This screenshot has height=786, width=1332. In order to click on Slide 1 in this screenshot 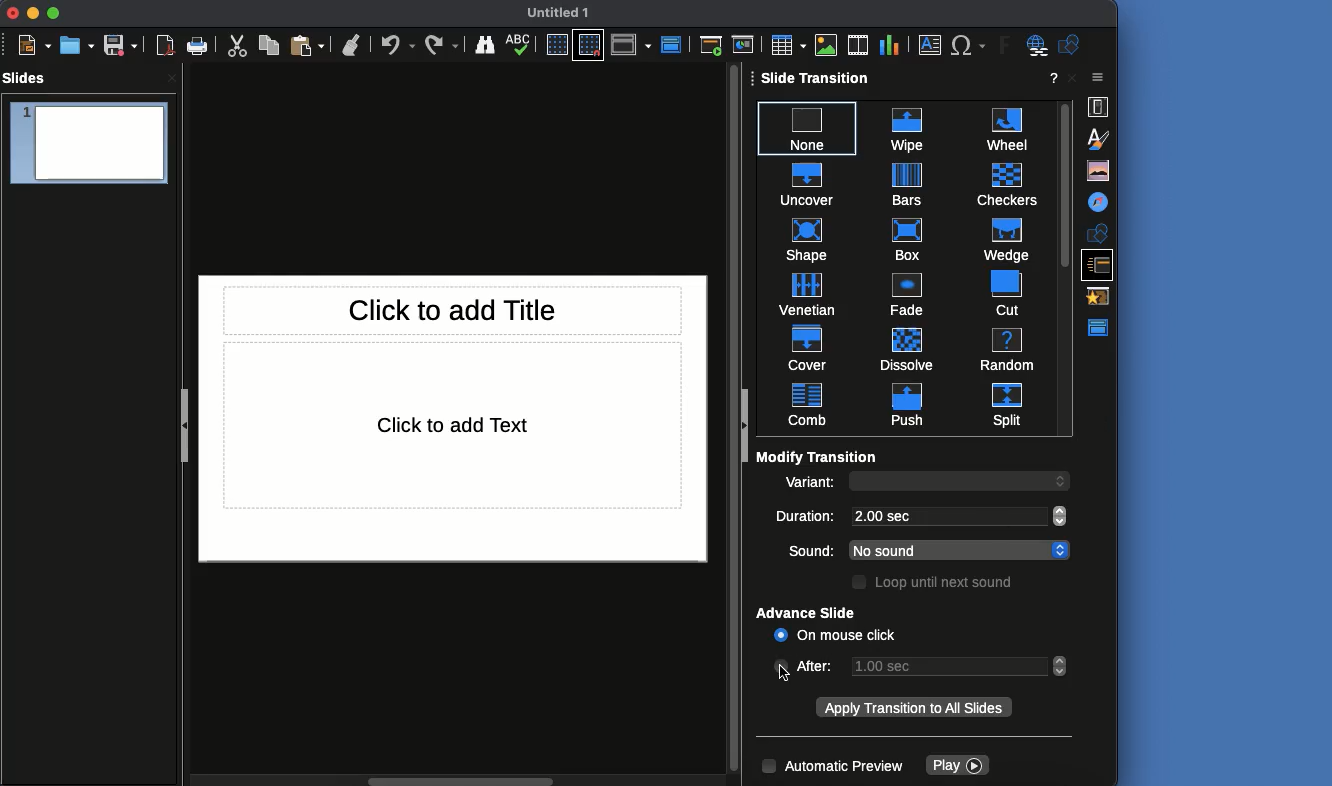, I will do `click(89, 146)`.